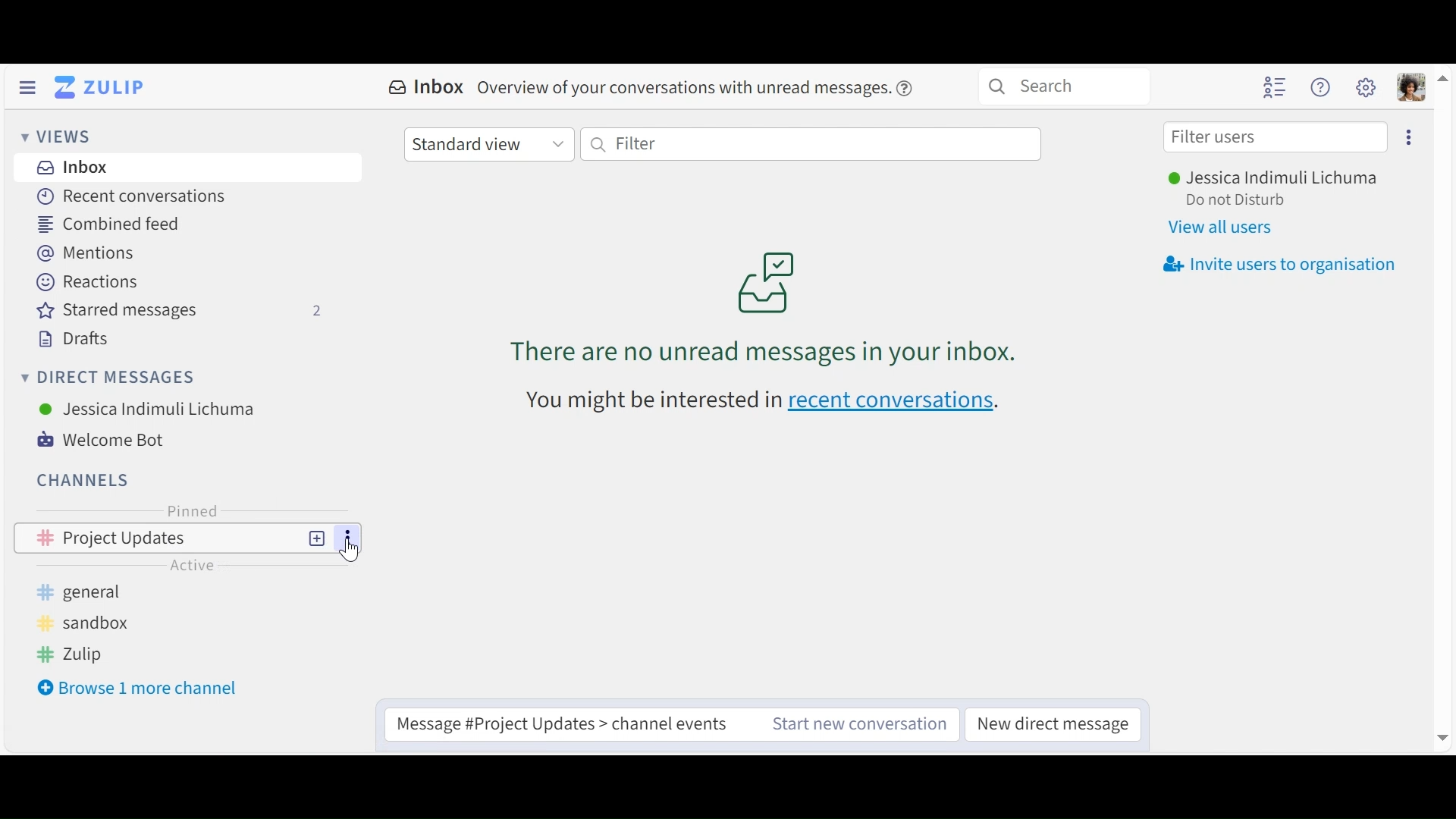 This screenshot has height=819, width=1456. What do you see at coordinates (194, 564) in the screenshot?
I see `Active` at bounding box center [194, 564].